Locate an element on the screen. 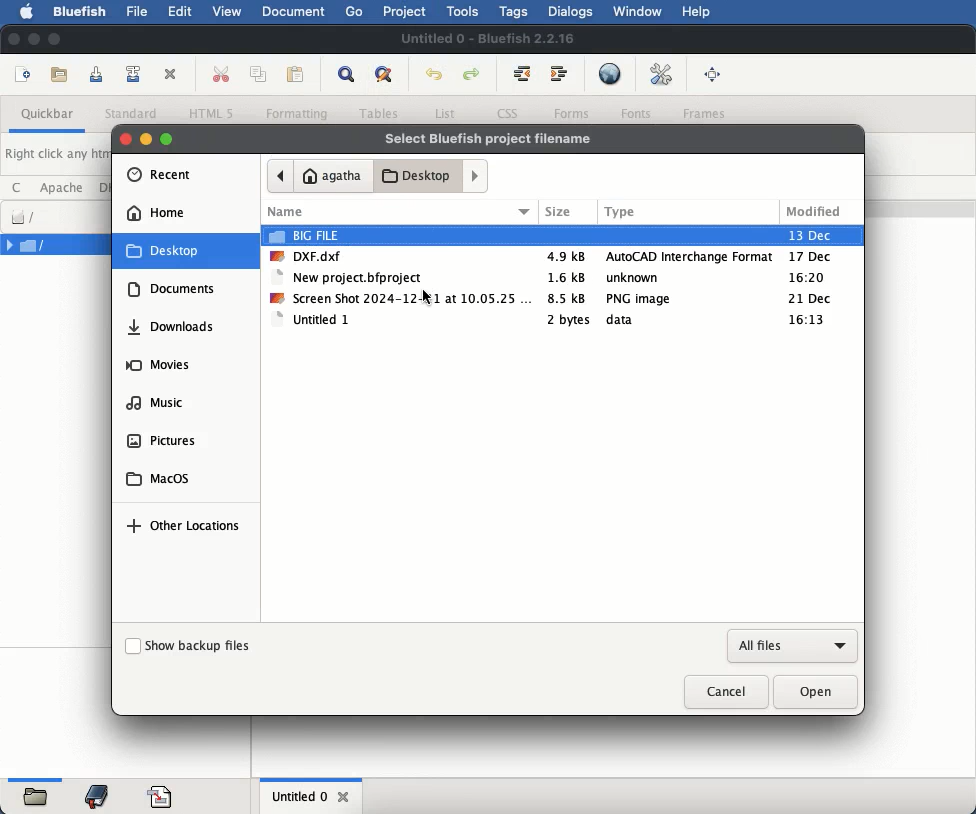  type is located at coordinates (683, 215).